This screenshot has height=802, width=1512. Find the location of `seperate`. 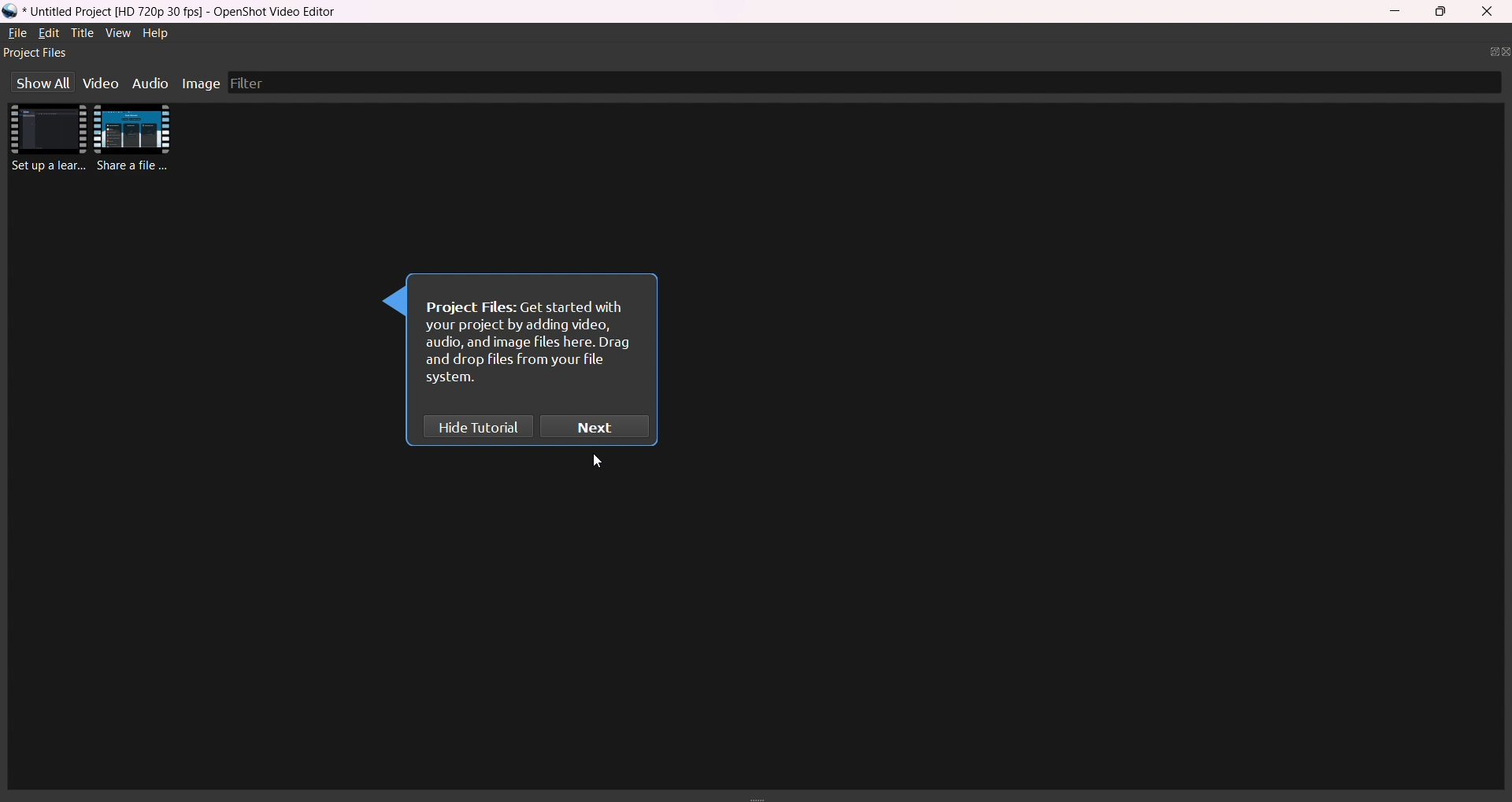

seperate is located at coordinates (1492, 50).